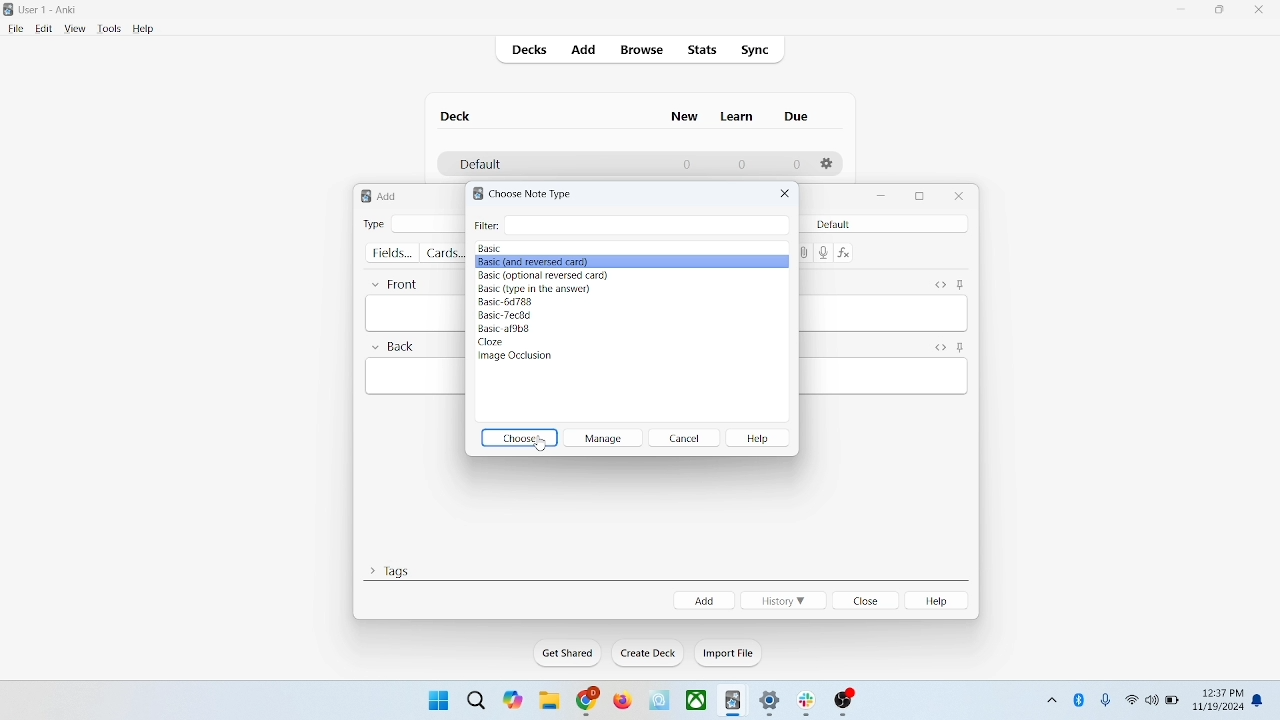 Image resolution: width=1280 pixels, height=720 pixels. What do you see at coordinates (399, 283) in the screenshot?
I see `front` at bounding box center [399, 283].